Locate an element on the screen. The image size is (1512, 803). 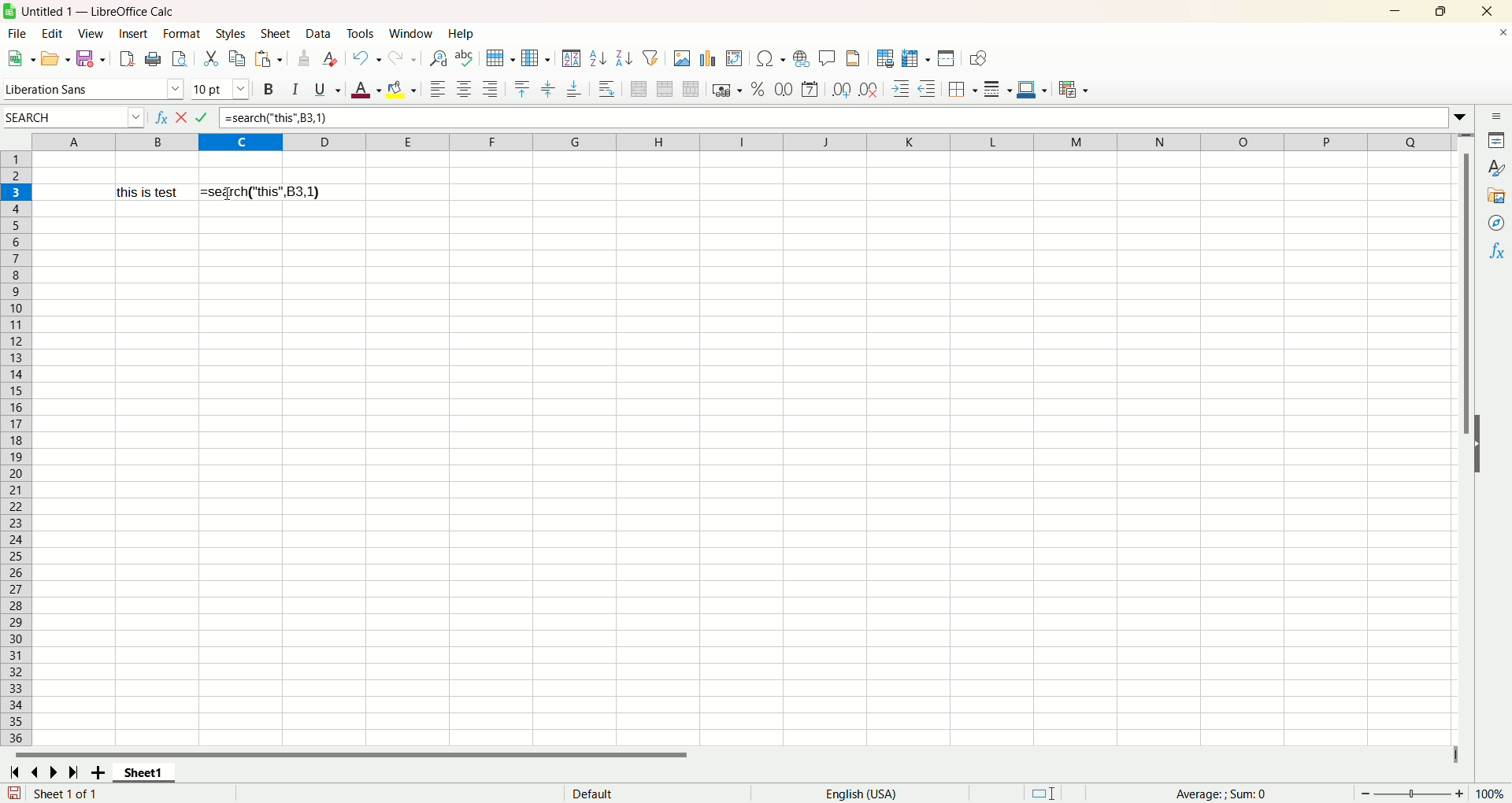
vertical scroll bar is located at coordinates (1467, 269).